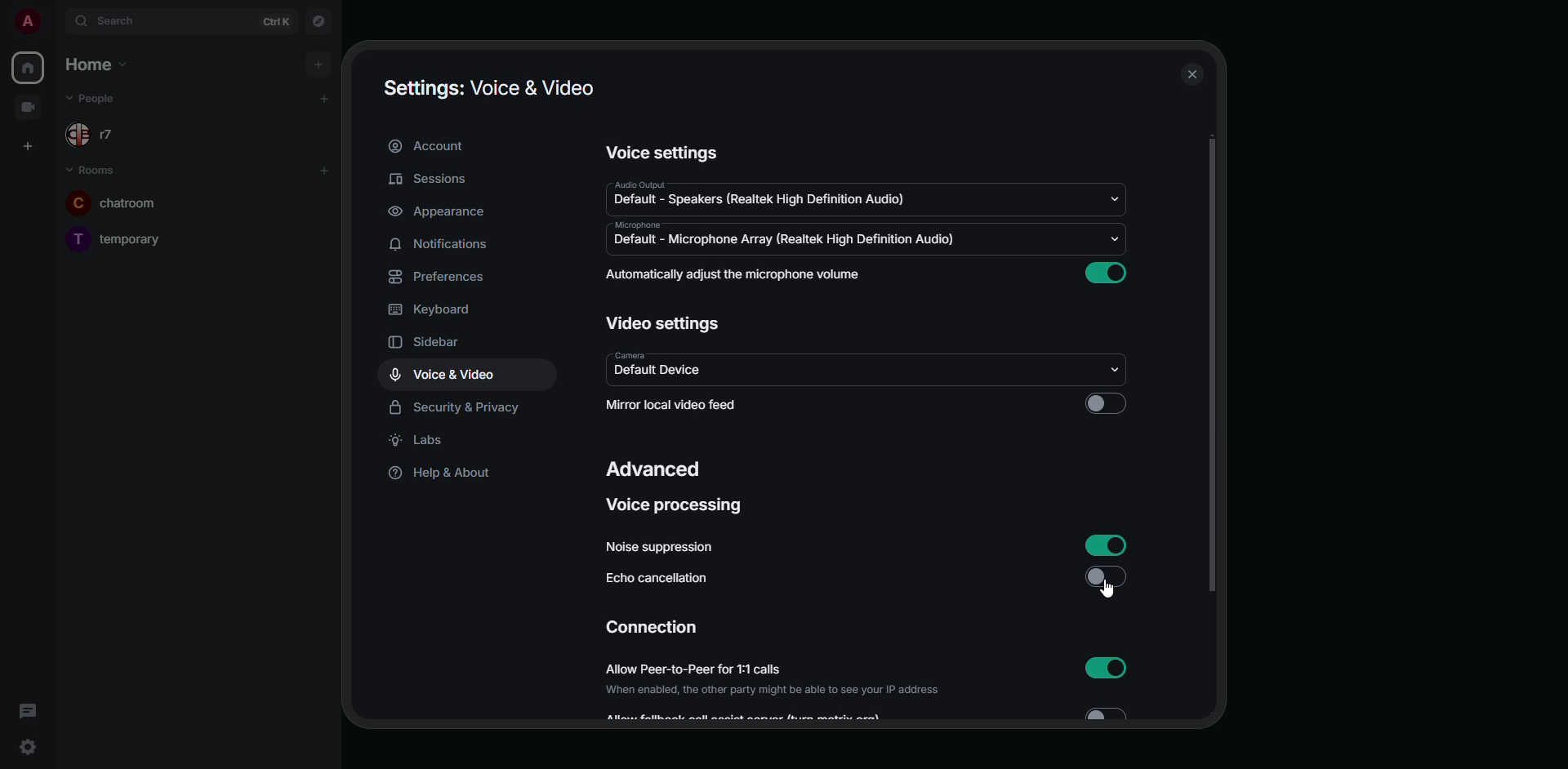  What do you see at coordinates (635, 224) in the screenshot?
I see `microphone` at bounding box center [635, 224].